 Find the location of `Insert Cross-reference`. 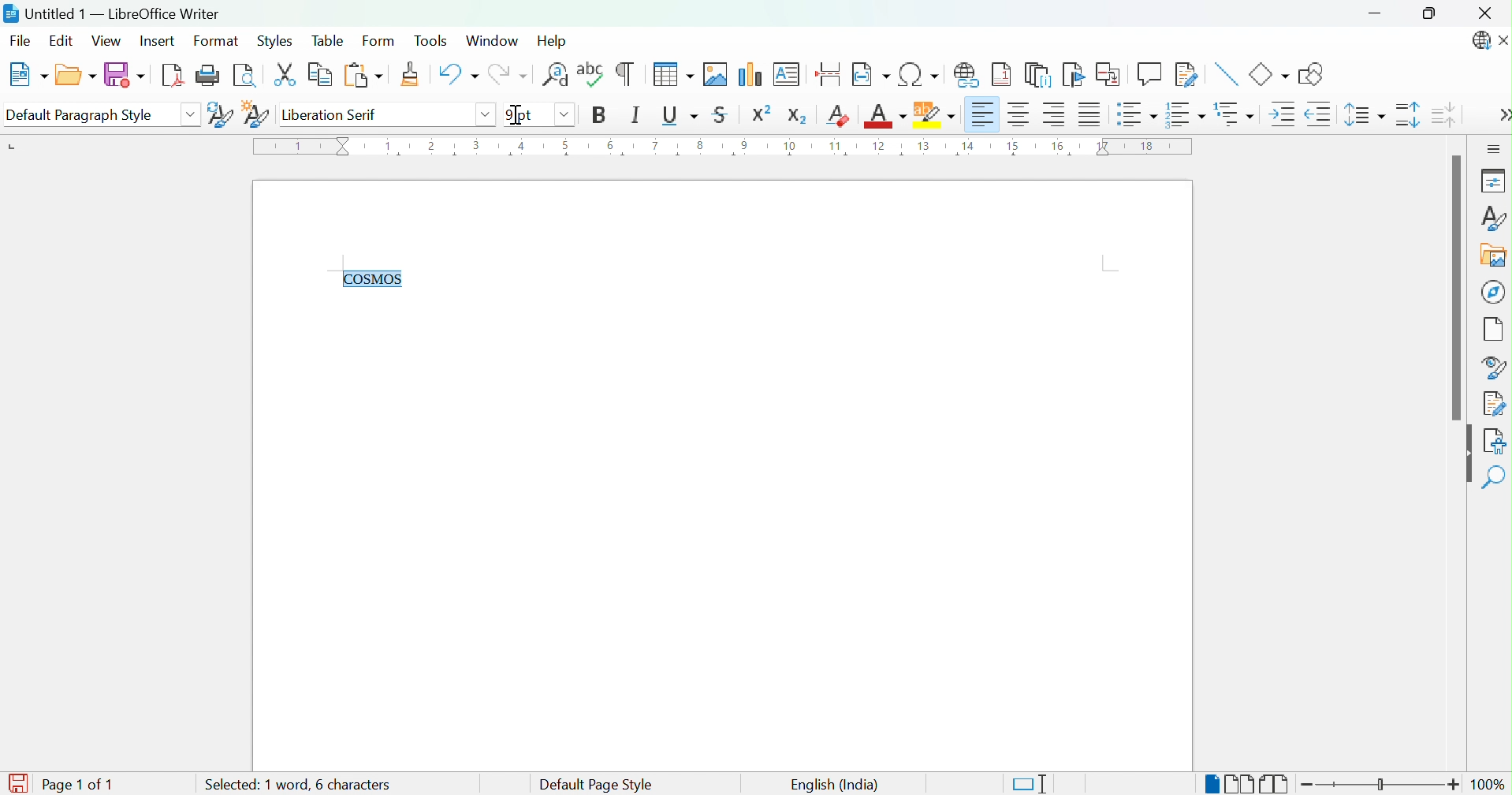

Insert Cross-reference is located at coordinates (1108, 74).